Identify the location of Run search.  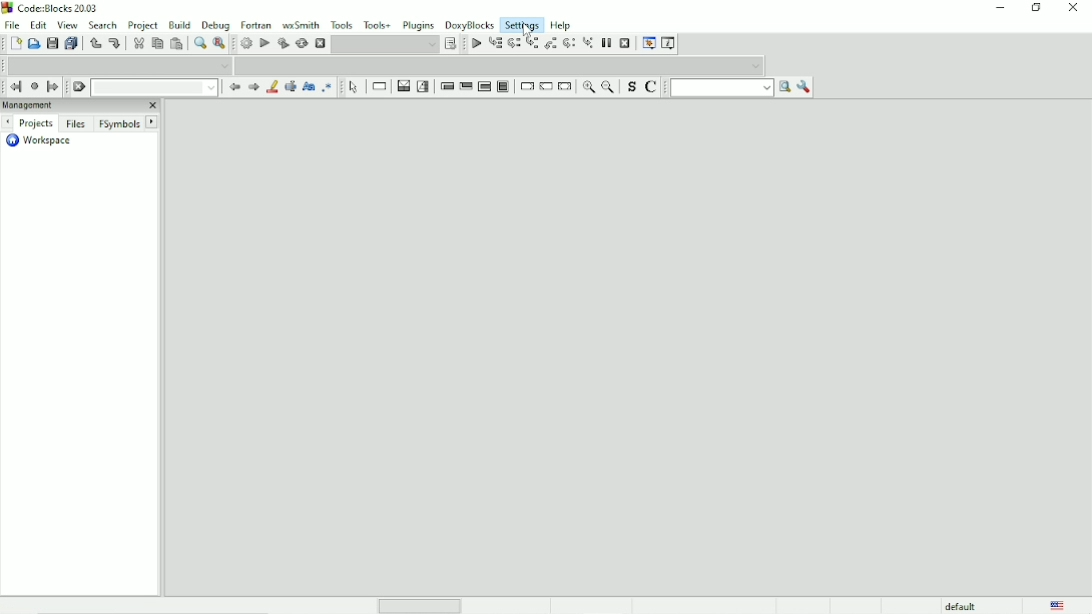
(784, 87).